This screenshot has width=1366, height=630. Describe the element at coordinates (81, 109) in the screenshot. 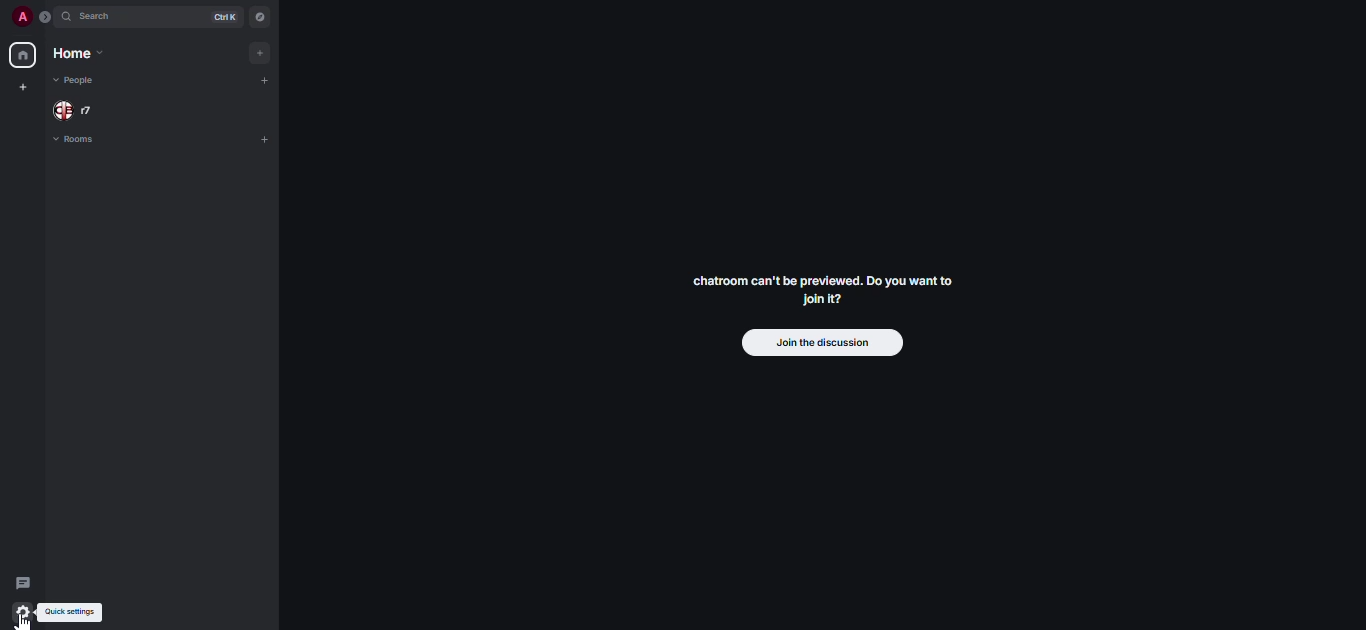

I see `people` at that location.